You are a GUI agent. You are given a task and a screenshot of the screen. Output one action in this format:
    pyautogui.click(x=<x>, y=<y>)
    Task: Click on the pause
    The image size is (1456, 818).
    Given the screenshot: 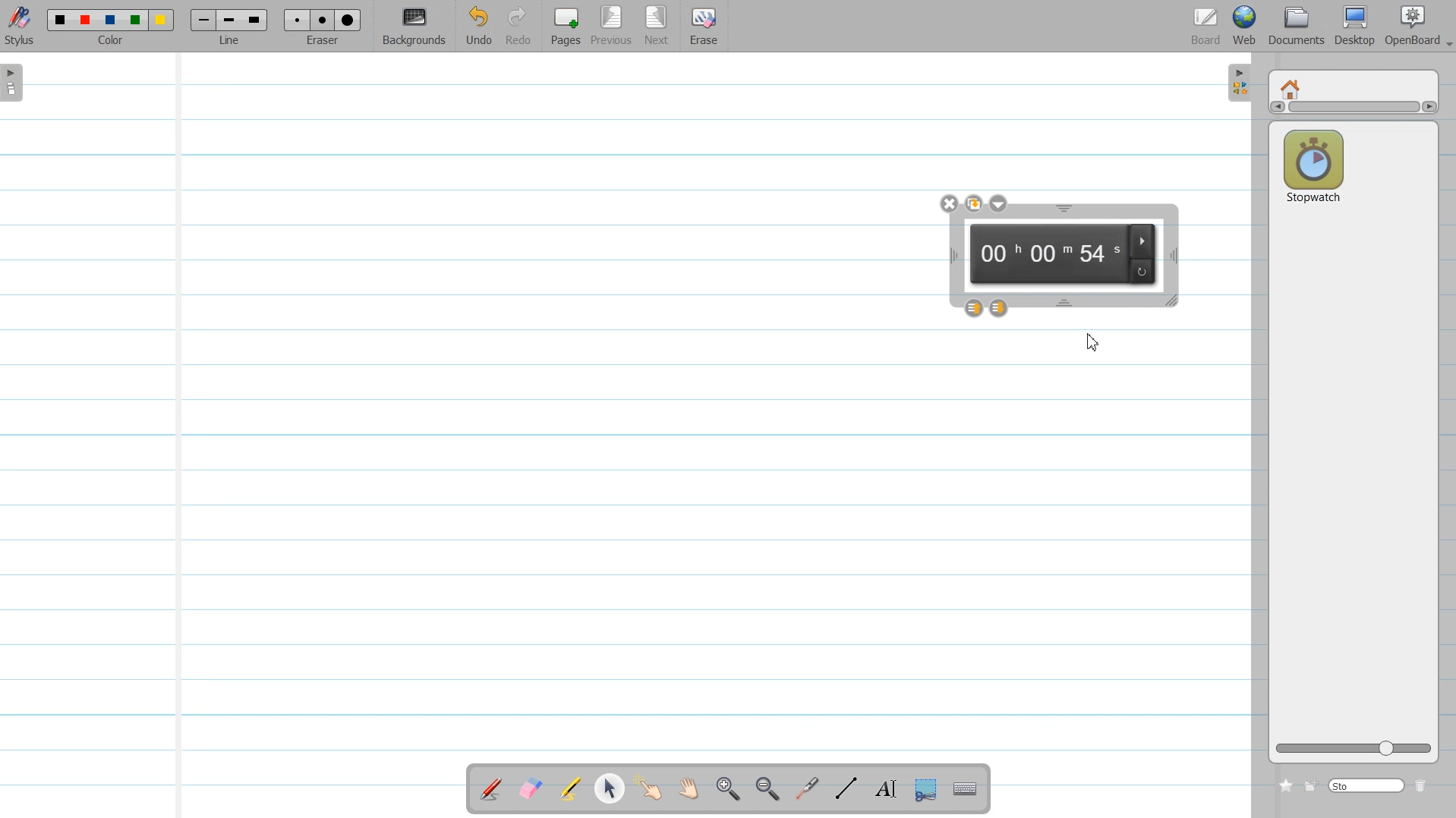 What is the action you would take?
    pyautogui.click(x=1142, y=239)
    